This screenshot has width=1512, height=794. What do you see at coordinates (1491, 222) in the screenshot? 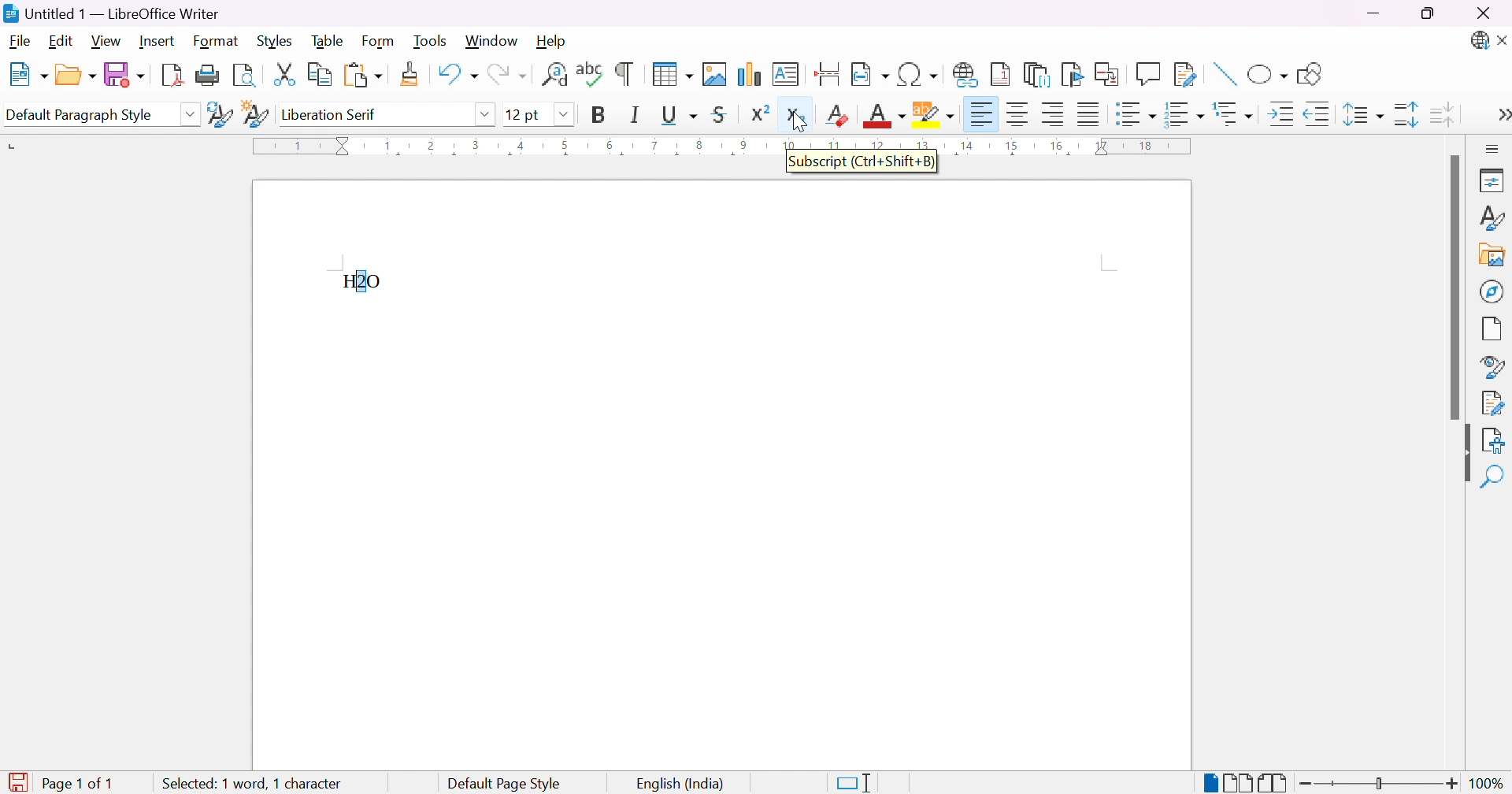
I see `Styles` at bounding box center [1491, 222].